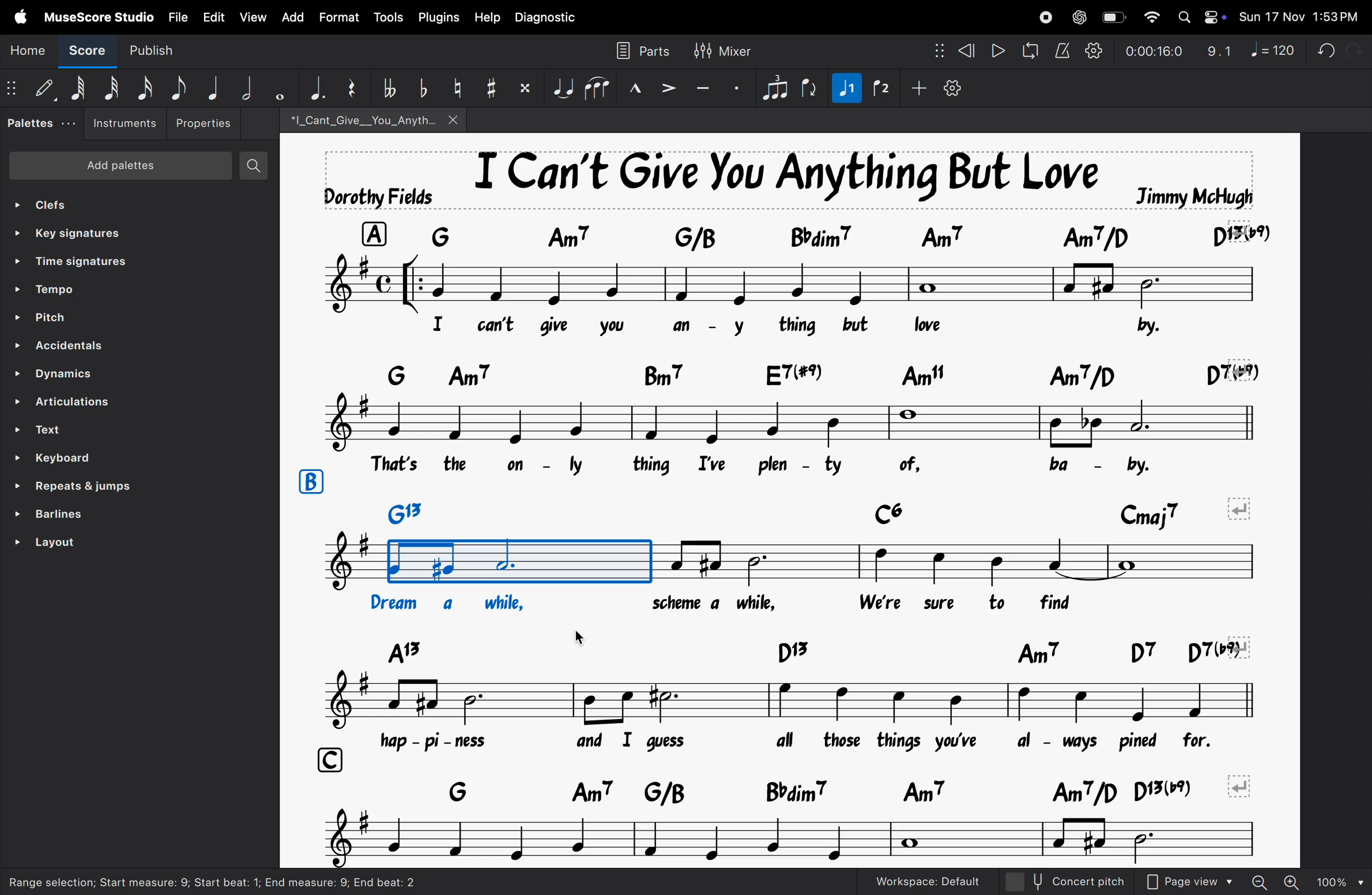 The width and height of the screenshot is (1372, 895). What do you see at coordinates (49, 541) in the screenshot?
I see `layout` at bounding box center [49, 541].